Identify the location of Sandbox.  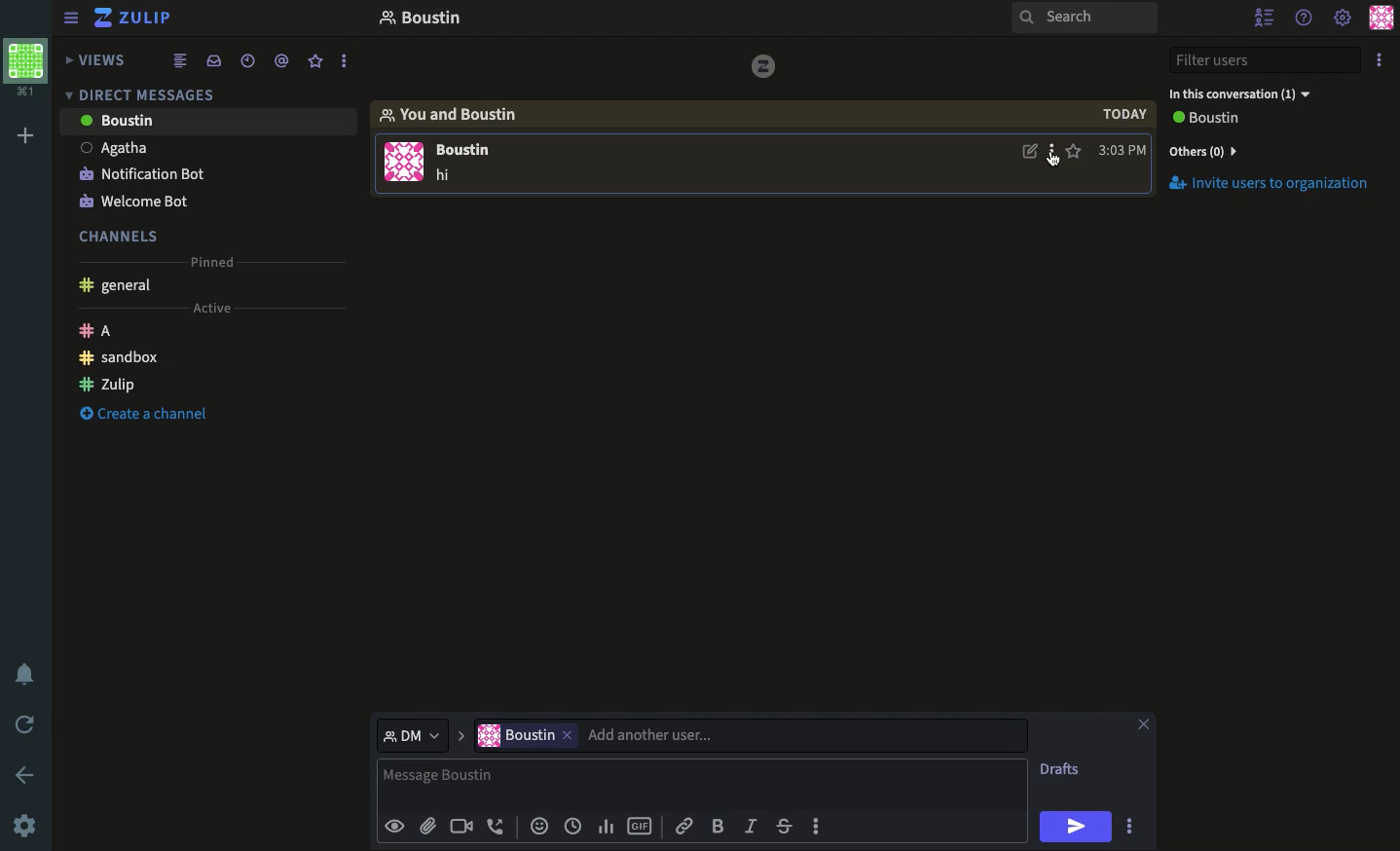
(122, 357).